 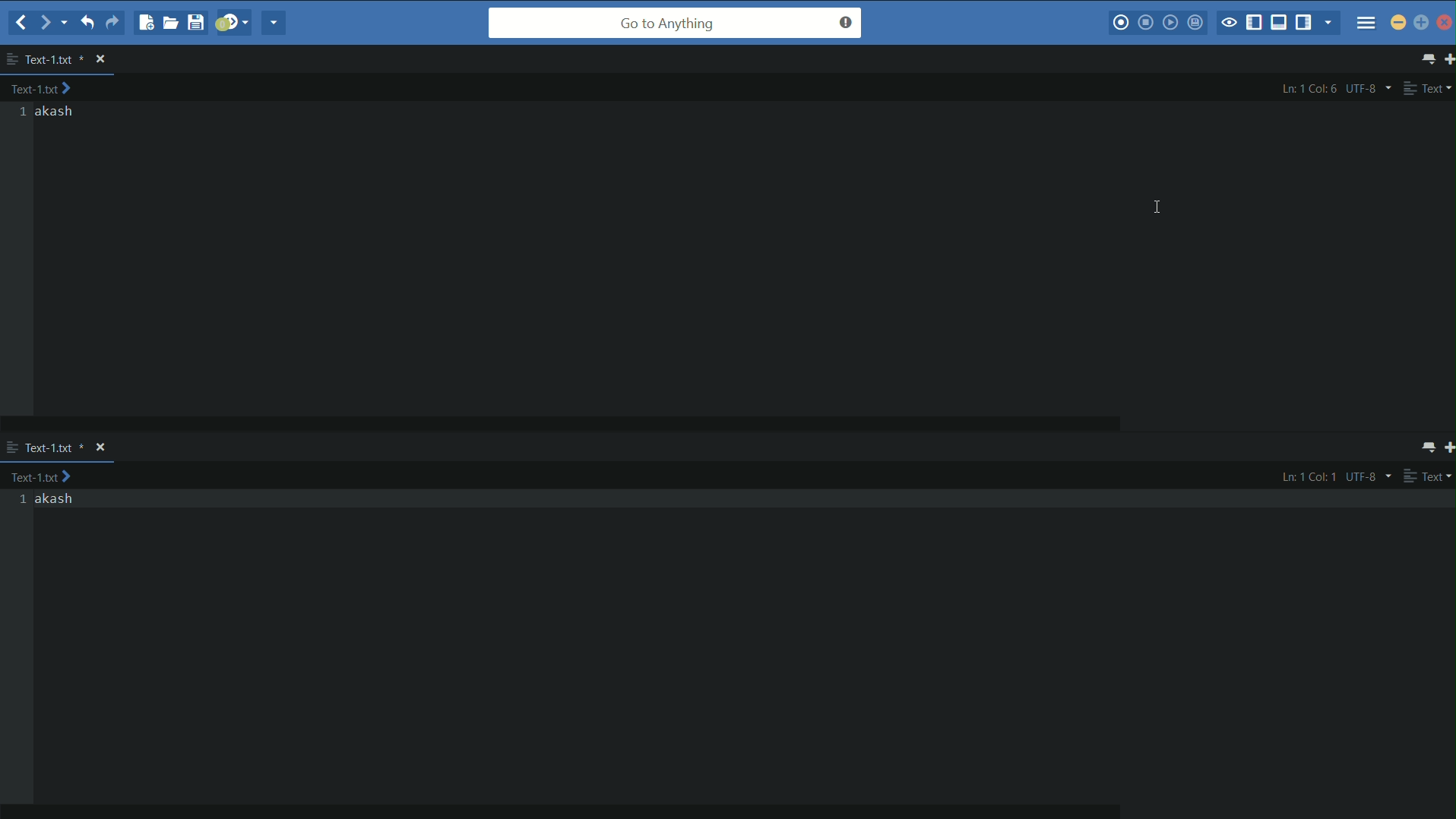 I want to click on more options, so click(x=12, y=449).